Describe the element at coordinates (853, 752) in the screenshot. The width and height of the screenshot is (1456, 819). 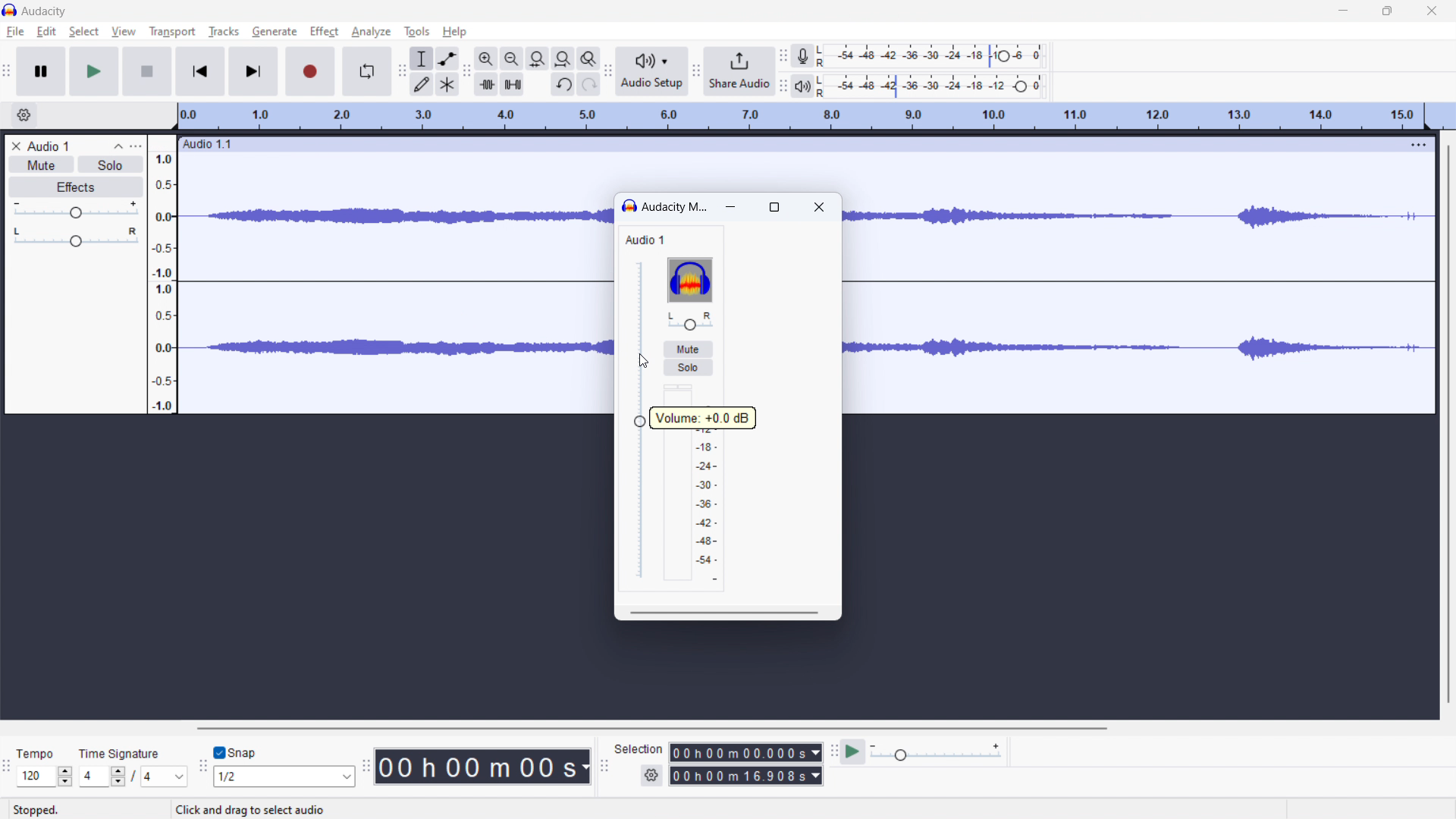
I see `play at speed` at that location.